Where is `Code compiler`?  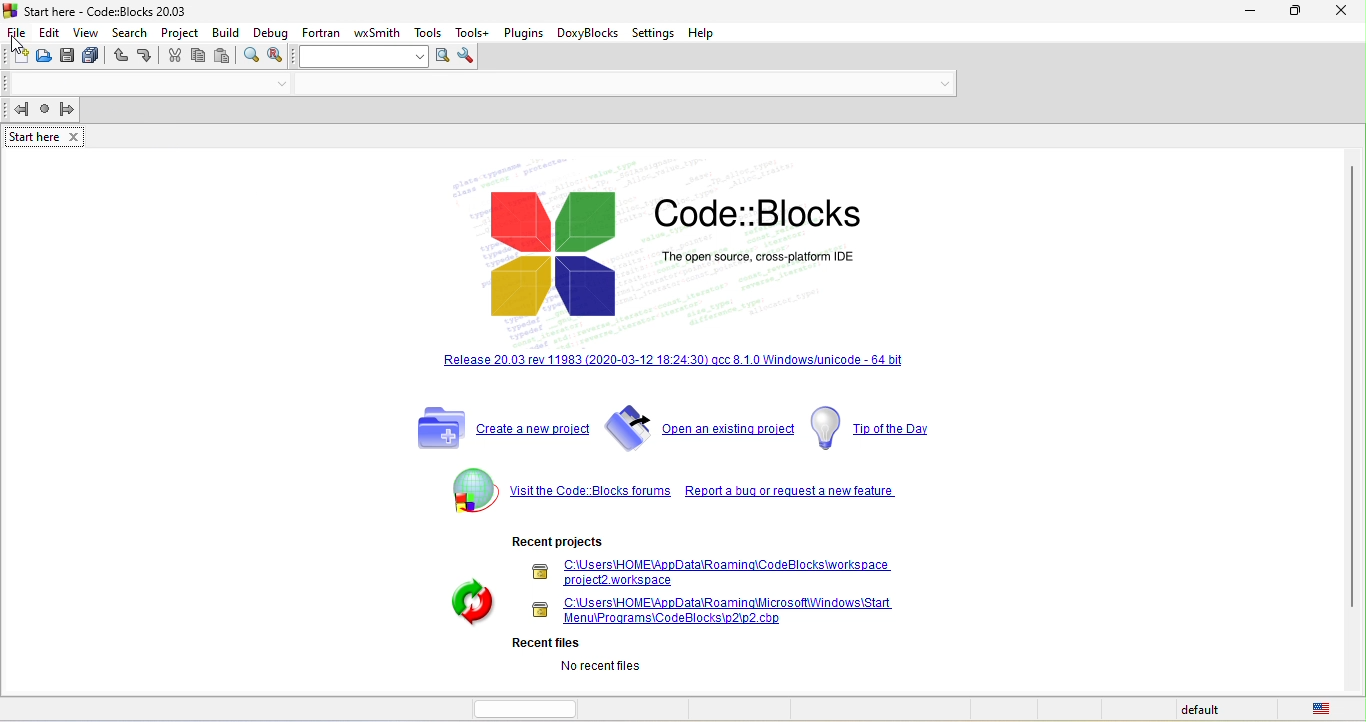 Code compiler is located at coordinates (482, 85).